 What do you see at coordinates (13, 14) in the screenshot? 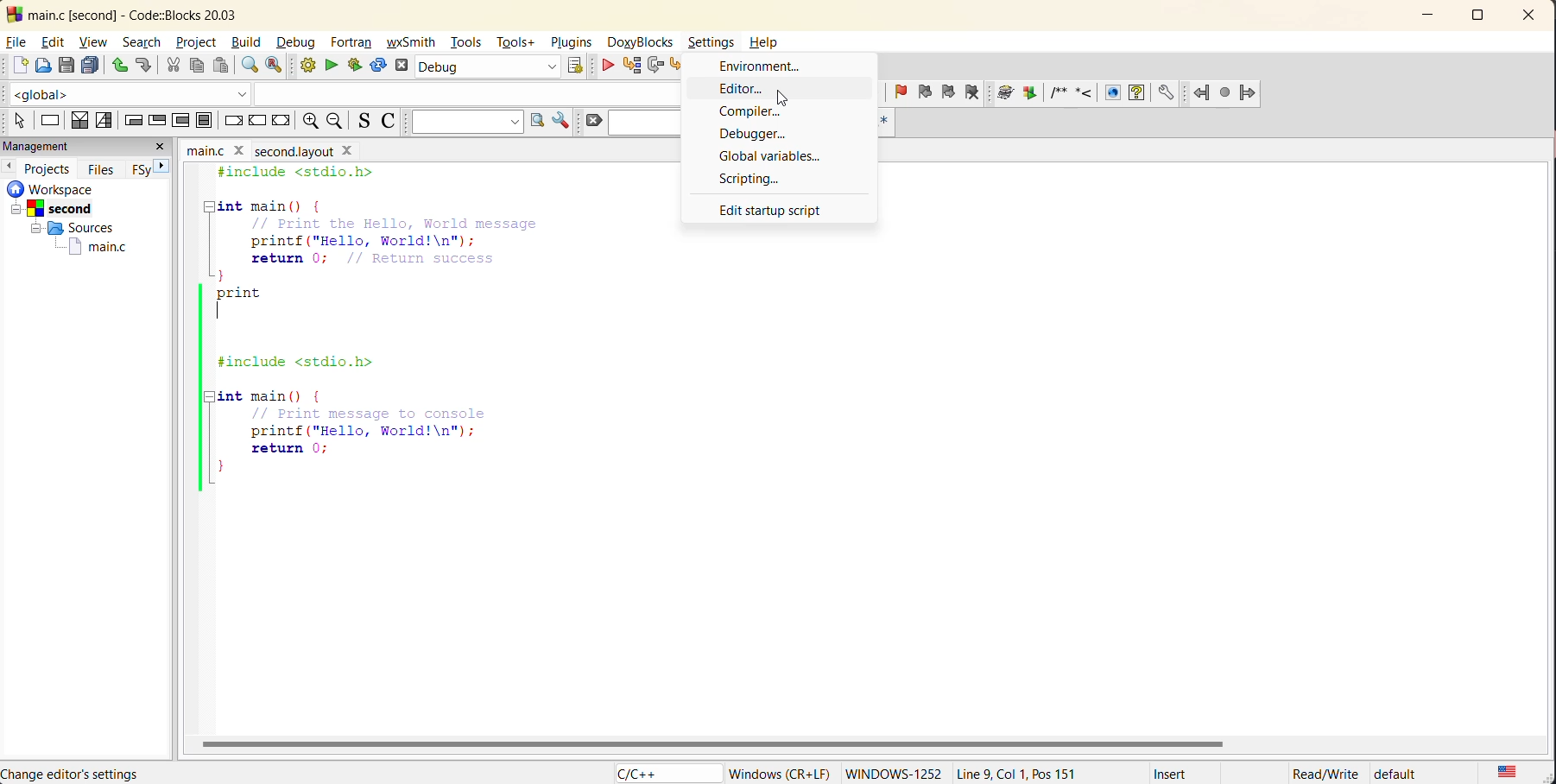
I see `Codeblock logo` at bounding box center [13, 14].